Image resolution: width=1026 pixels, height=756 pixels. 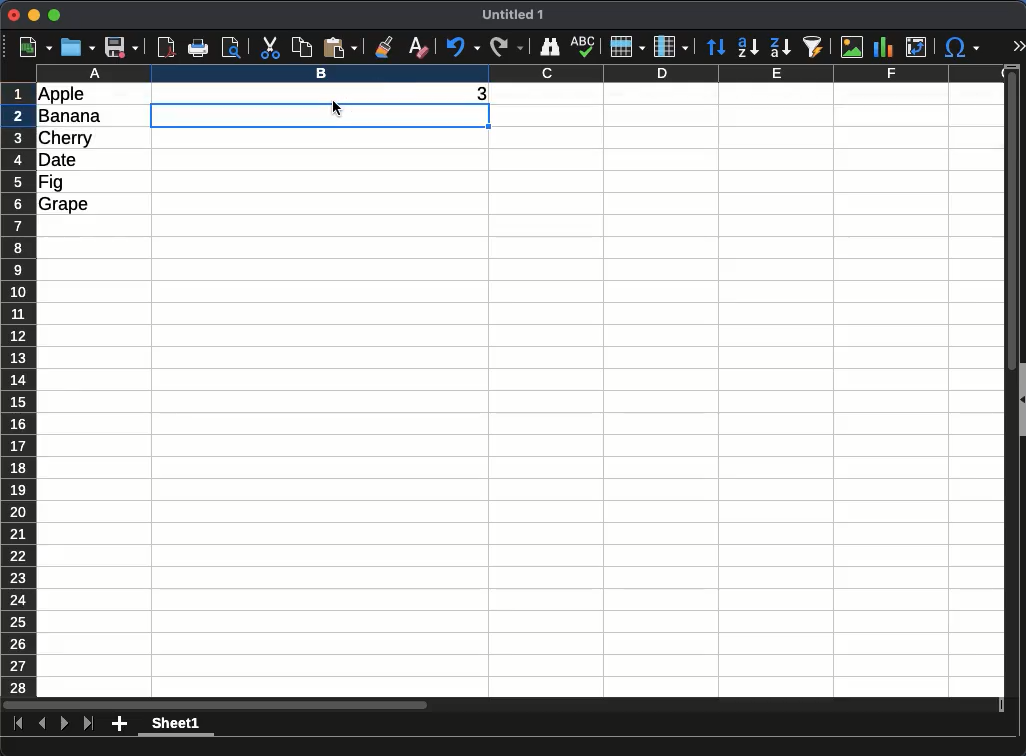 What do you see at coordinates (780, 47) in the screenshot?
I see `descending` at bounding box center [780, 47].